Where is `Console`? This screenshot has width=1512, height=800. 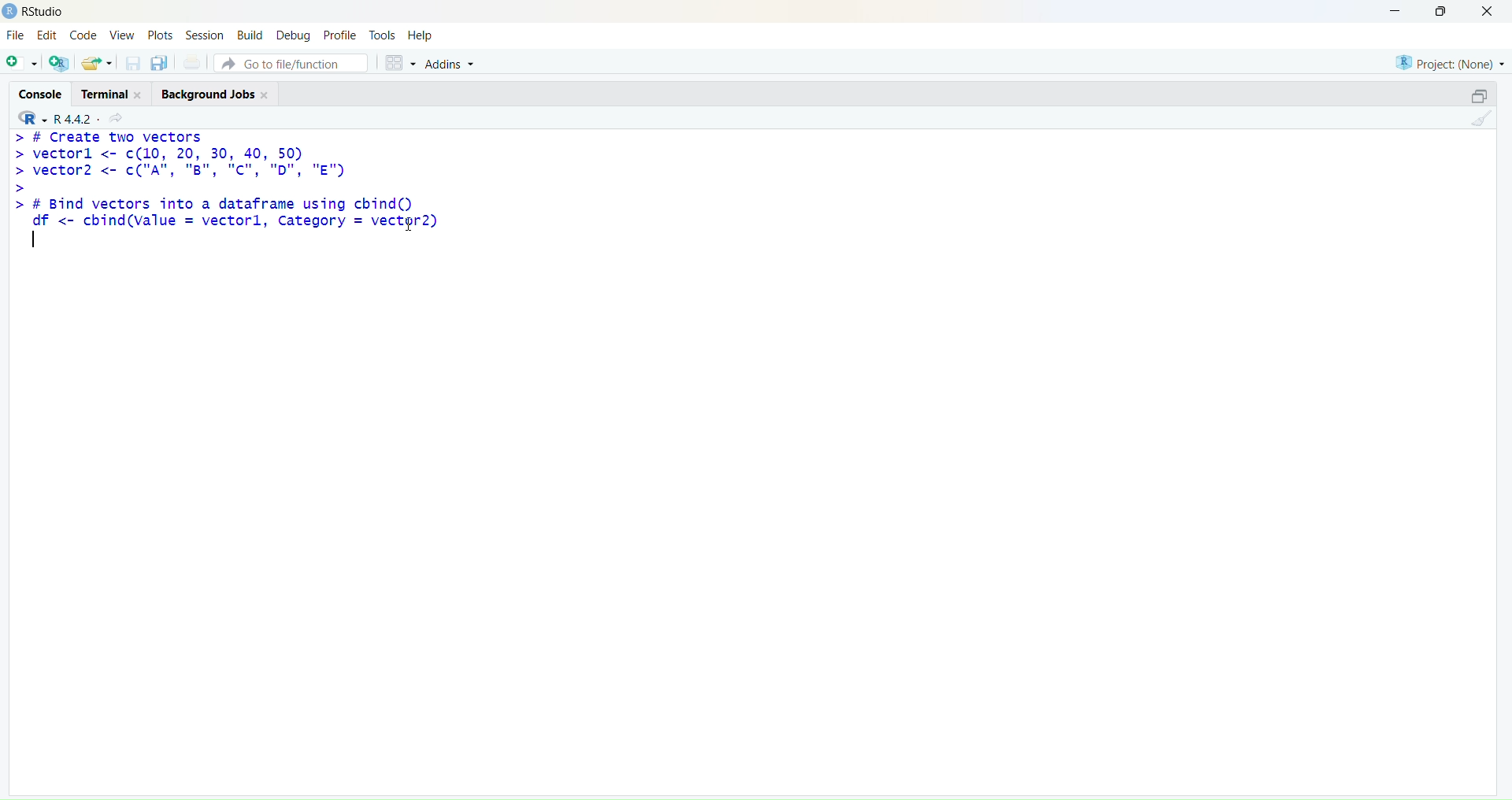 Console is located at coordinates (39, 92).